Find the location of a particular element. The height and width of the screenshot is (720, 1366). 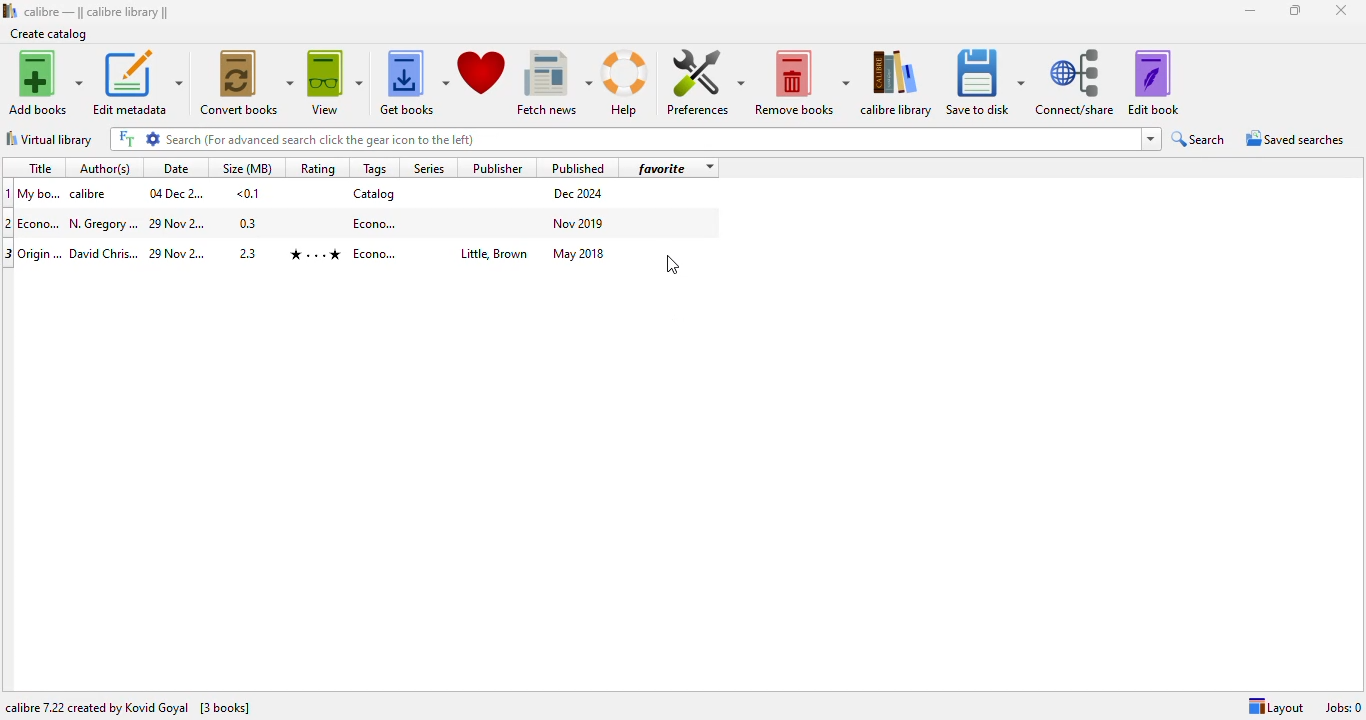

publisher is located at coordinates (499, 167).